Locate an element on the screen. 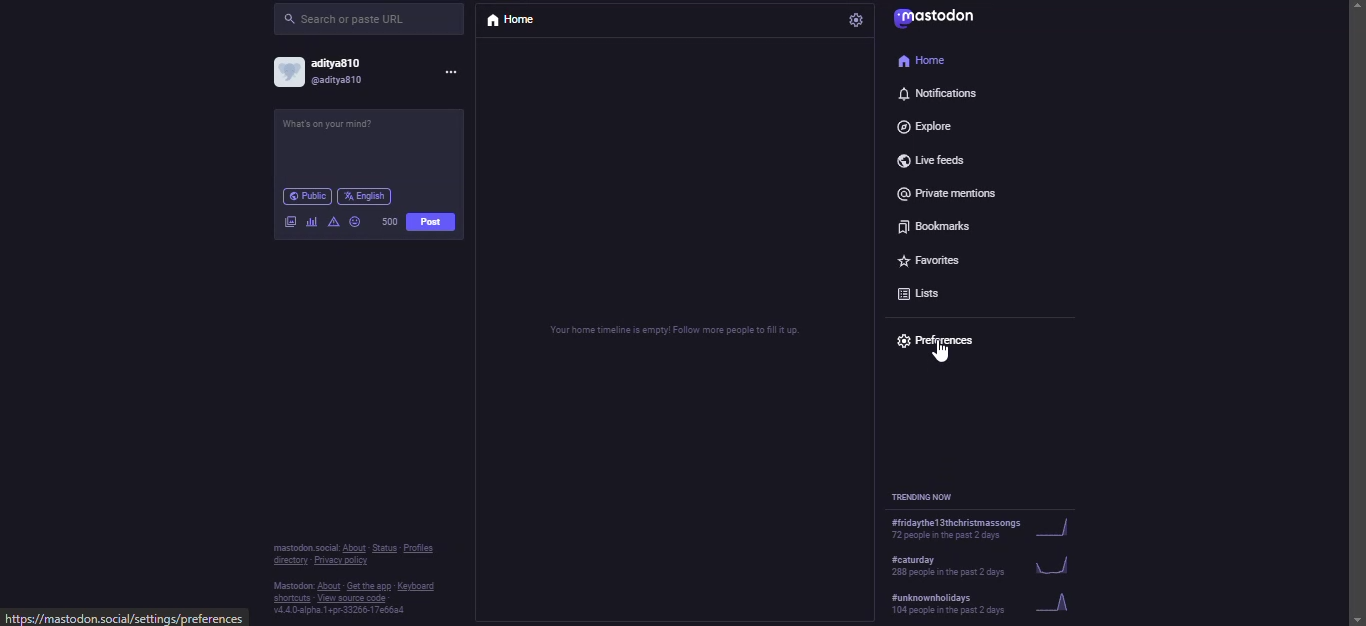 The width and height of the screenshot is (1366, 626). https://mastodon.social/settings/preferences is located at coordinates (127, 618).